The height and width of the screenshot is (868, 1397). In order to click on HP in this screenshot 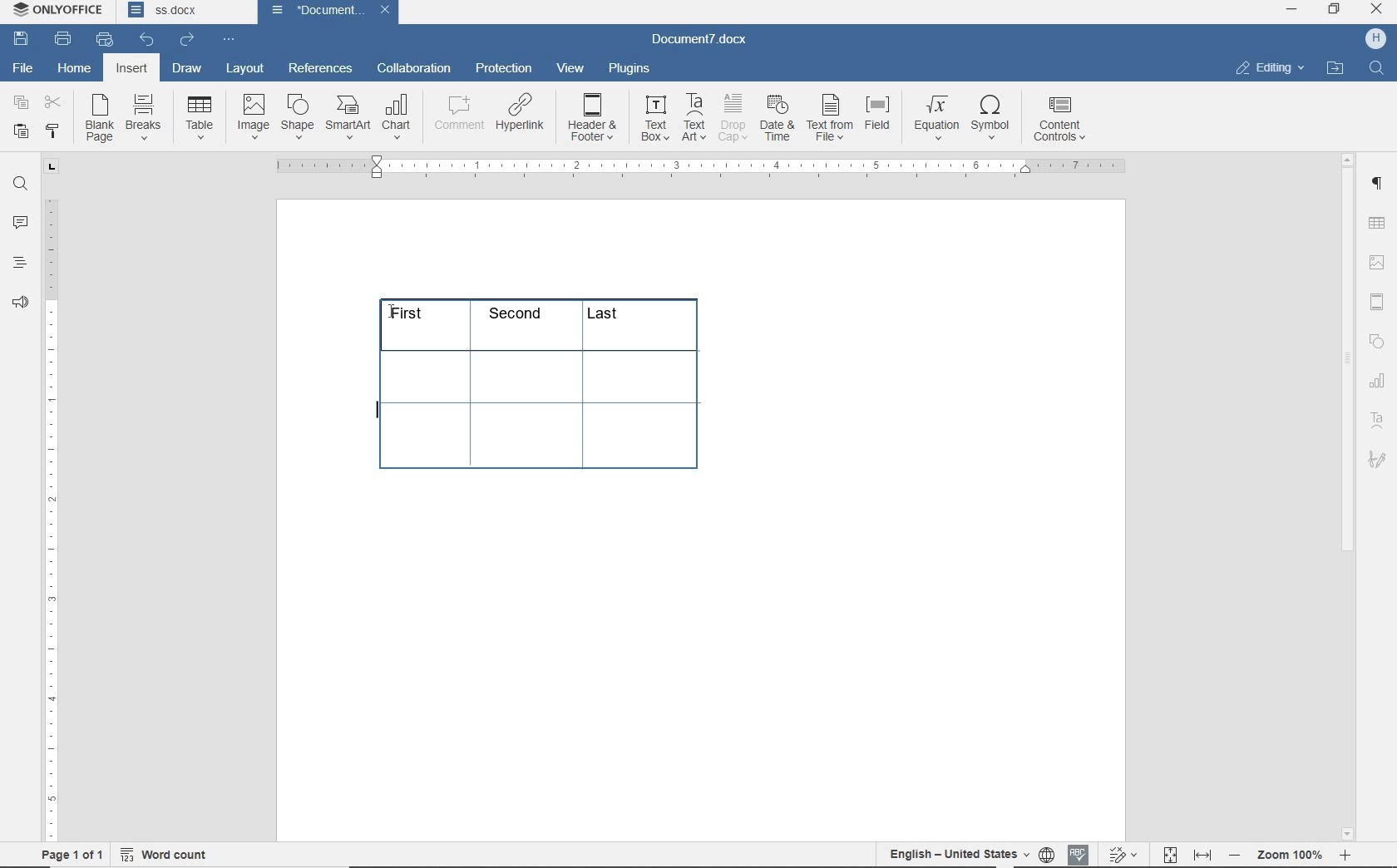, I will do `click(1374, 38)`.